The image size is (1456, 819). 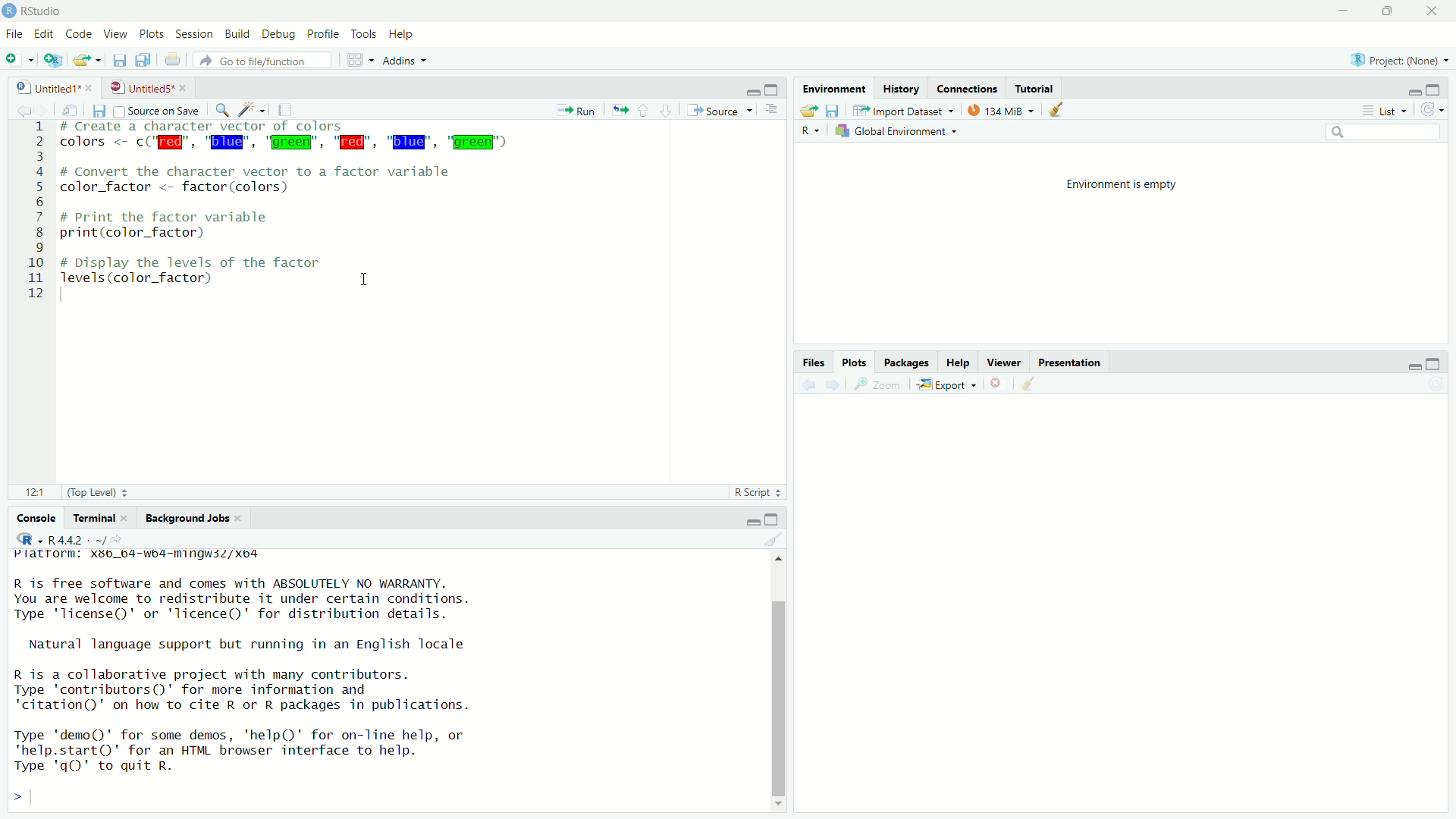 What do you see at coordinates (758, 492) in the screenshot?
I see `r script` at bounding box center [758, 492].